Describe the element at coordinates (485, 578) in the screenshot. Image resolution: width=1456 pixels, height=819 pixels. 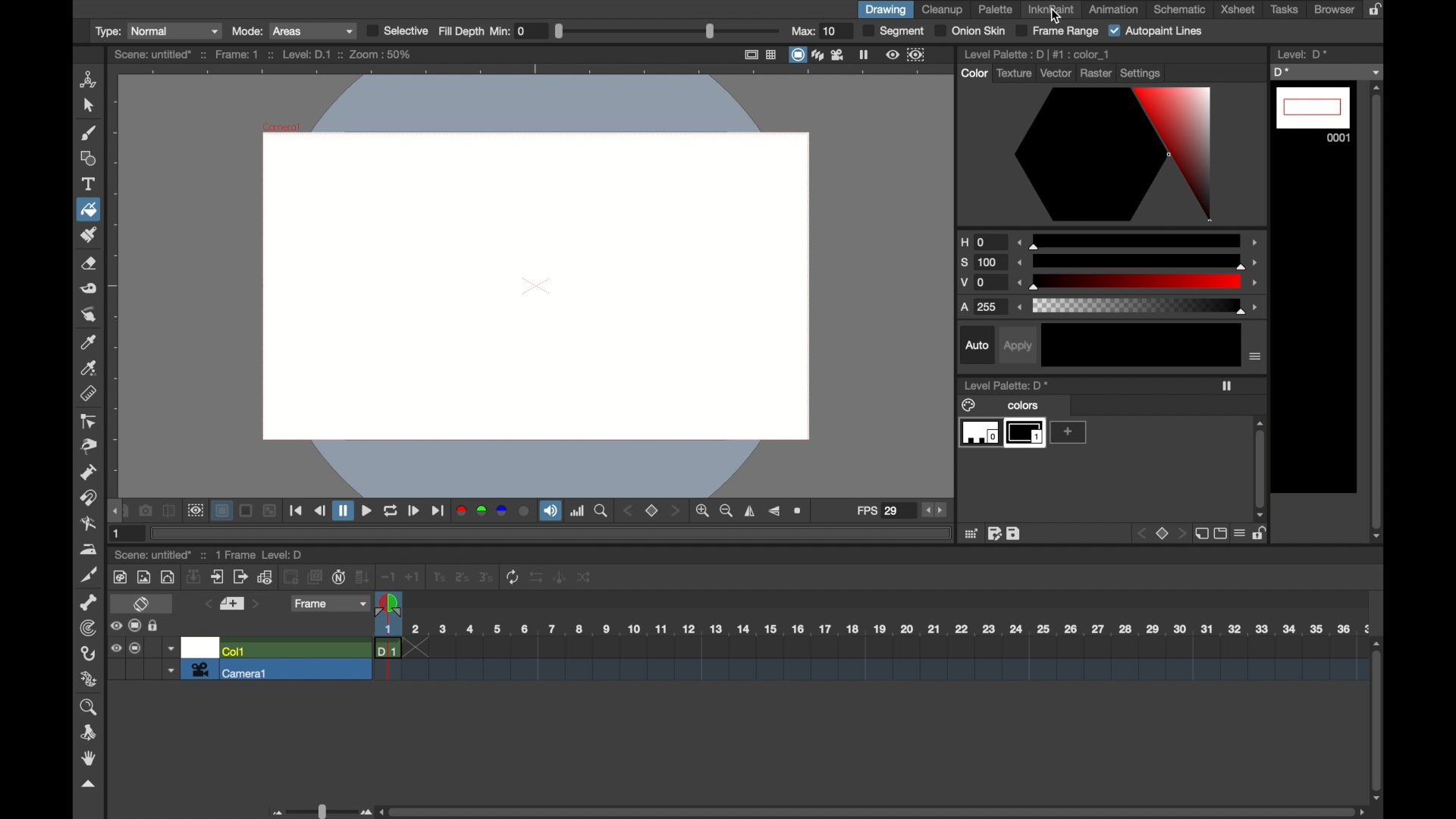
I see `3` at that location.